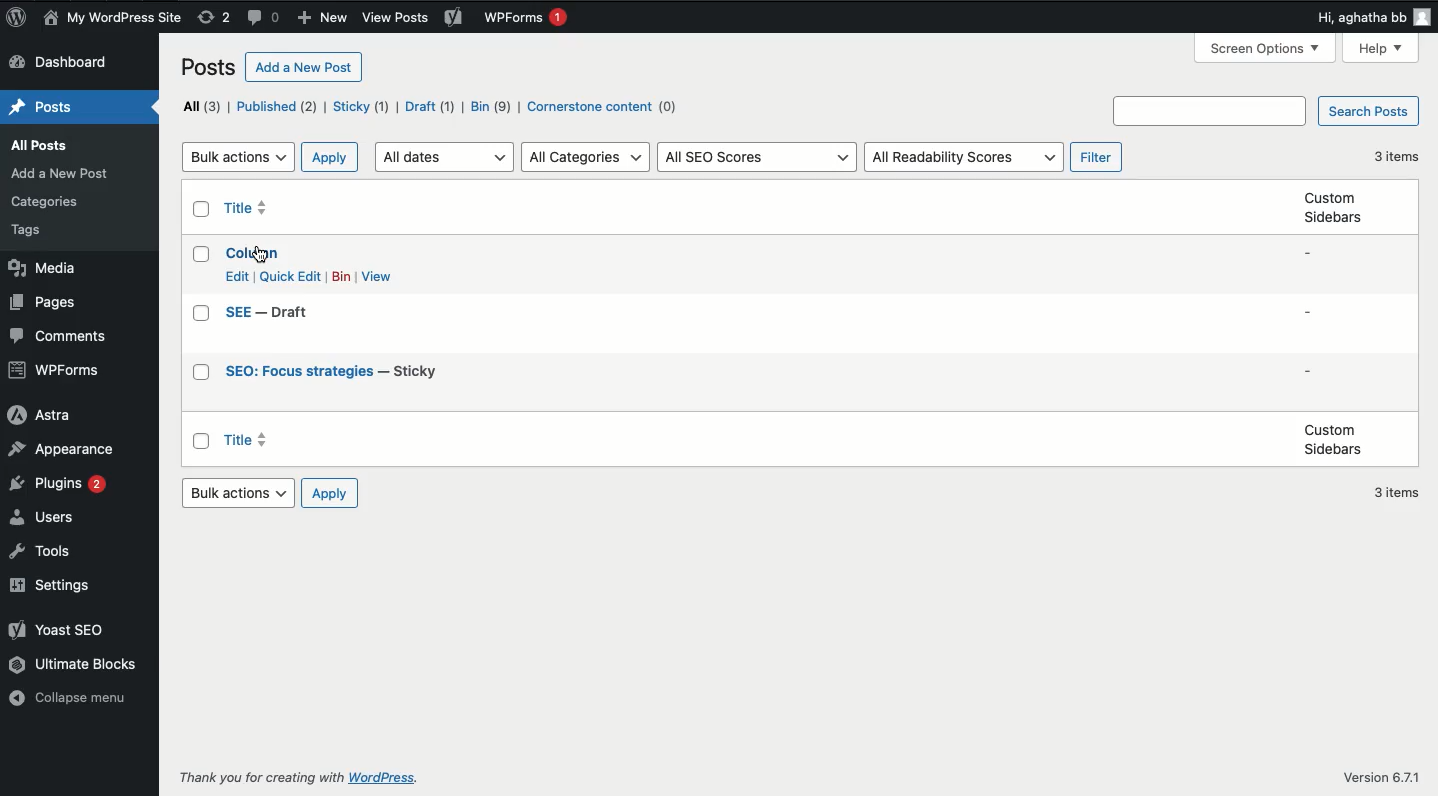  What do you see at coordinates (250, 440) in the screenshot?
I see `Title` at bounding box center [250, 440].